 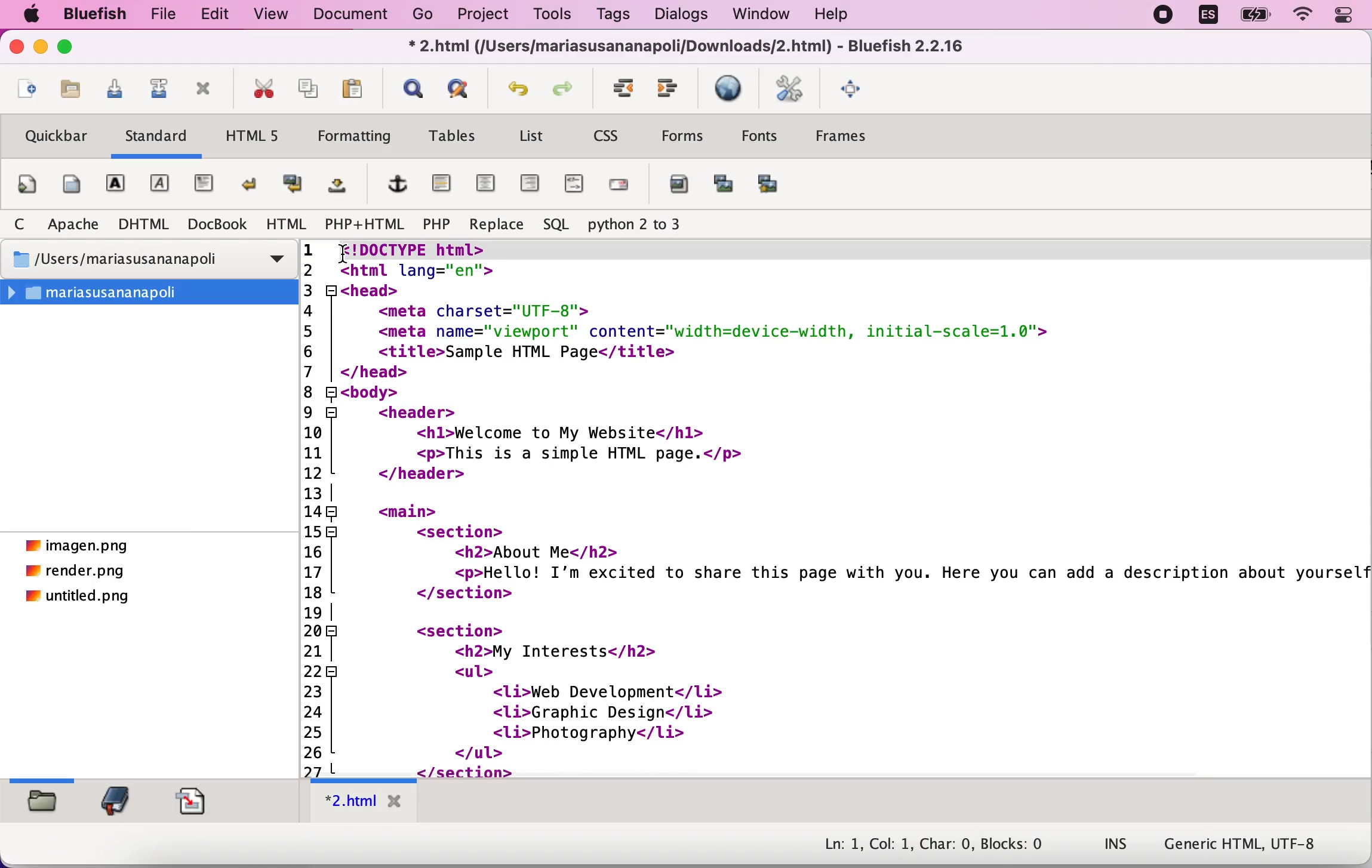 I want to click on apache, so click(x=72, y=224).